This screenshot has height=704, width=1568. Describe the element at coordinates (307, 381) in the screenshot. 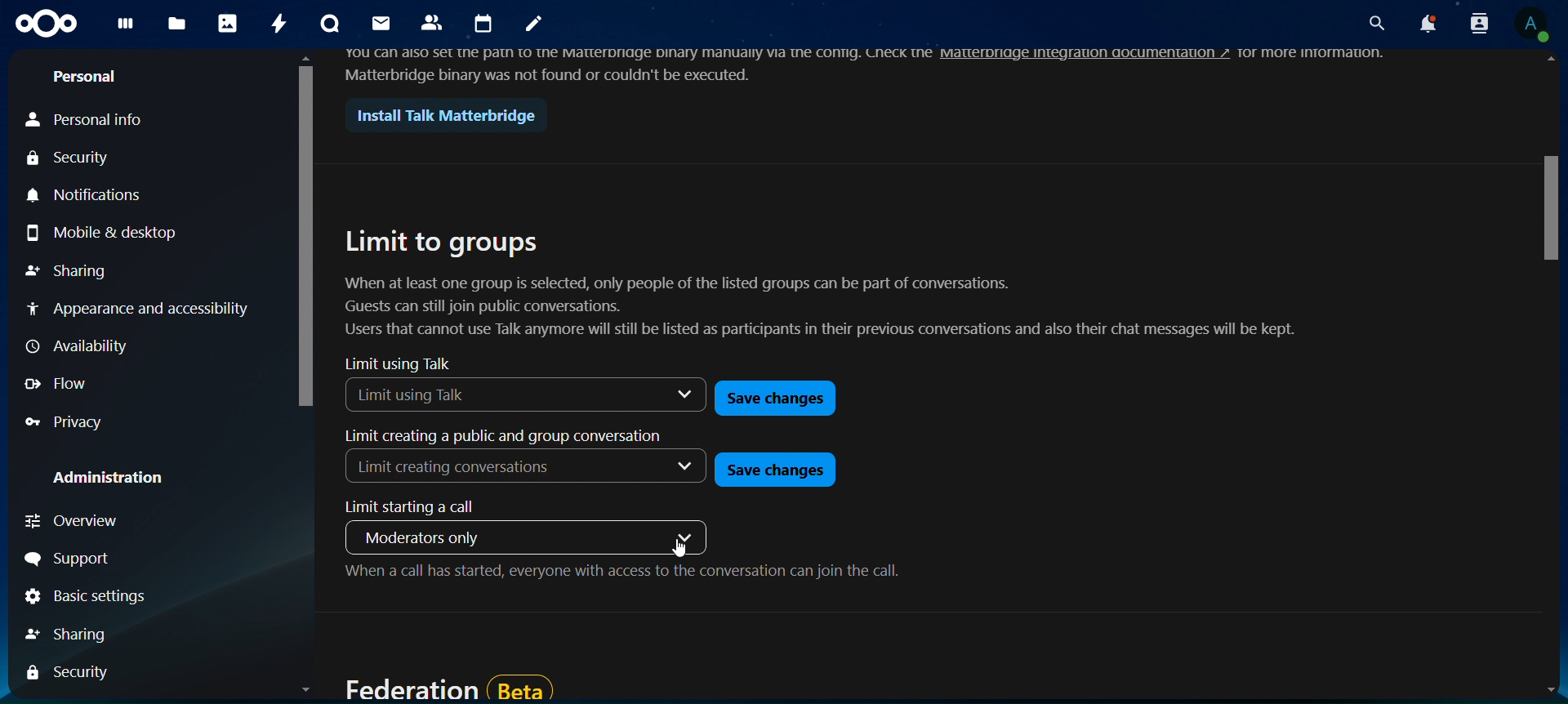

I see `scroll bar` at that location.